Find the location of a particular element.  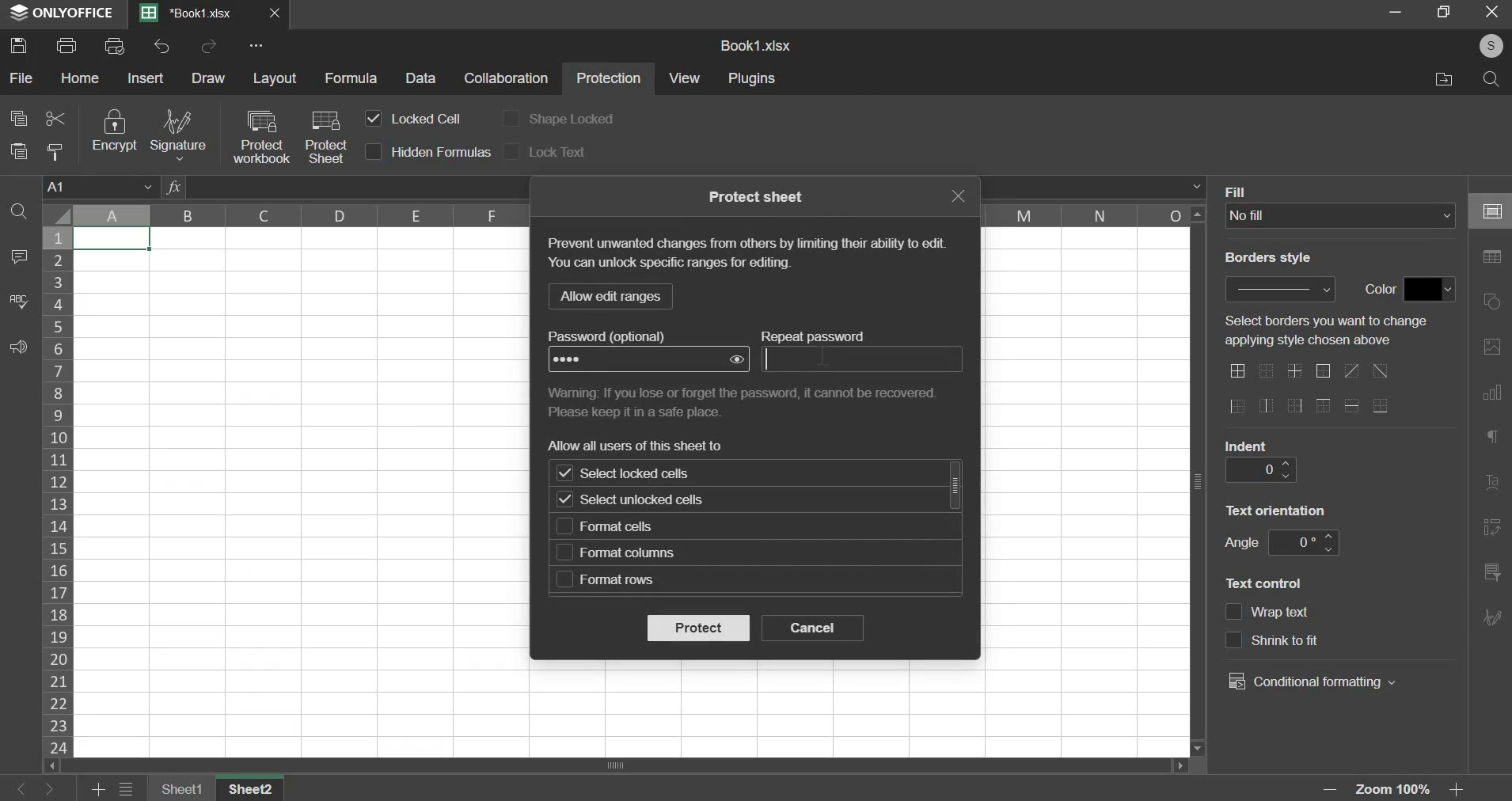

draw is located at coordinates (208, 78).